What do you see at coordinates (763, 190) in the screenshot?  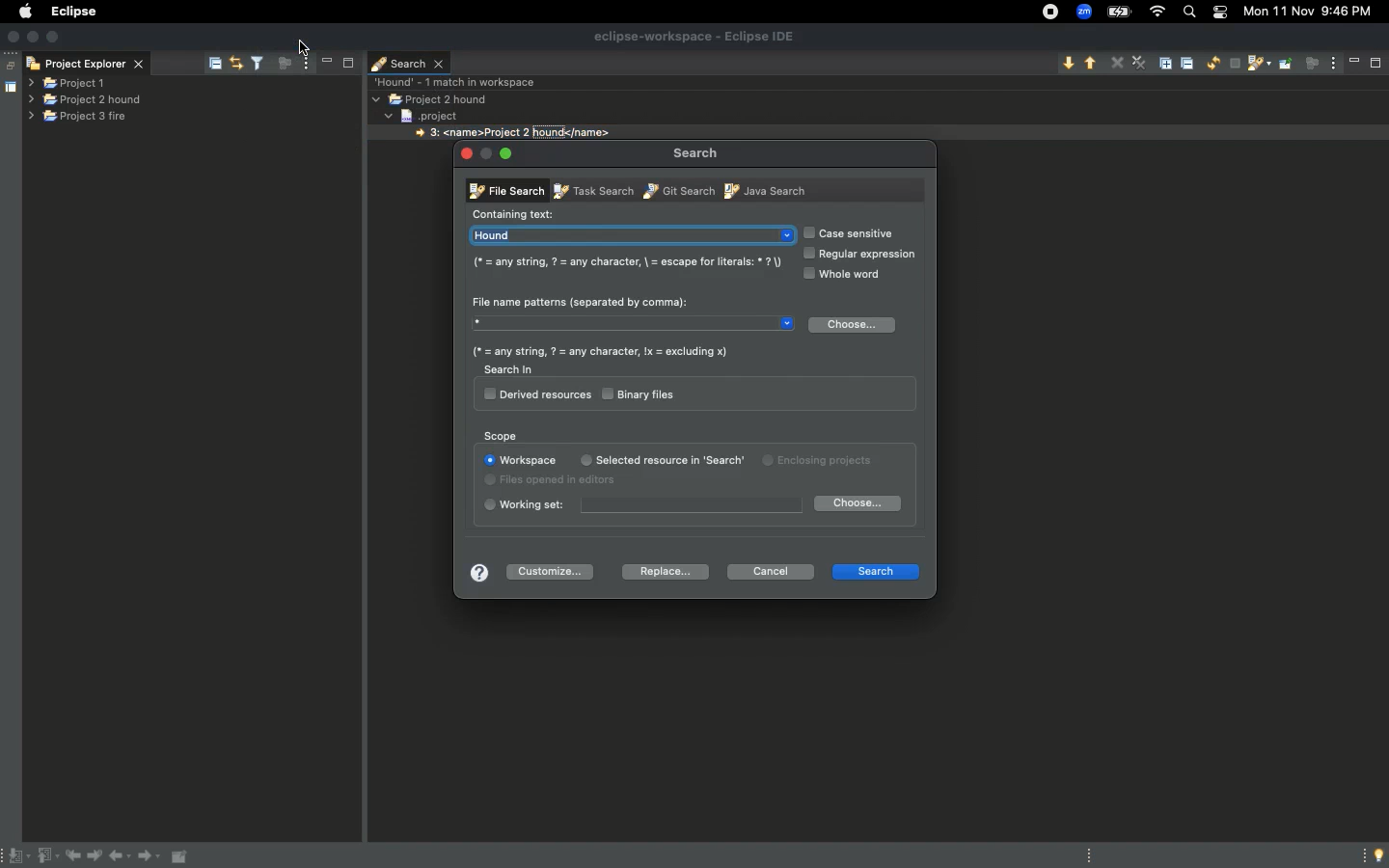 I see `Java search` at bounding box center [763, 190].